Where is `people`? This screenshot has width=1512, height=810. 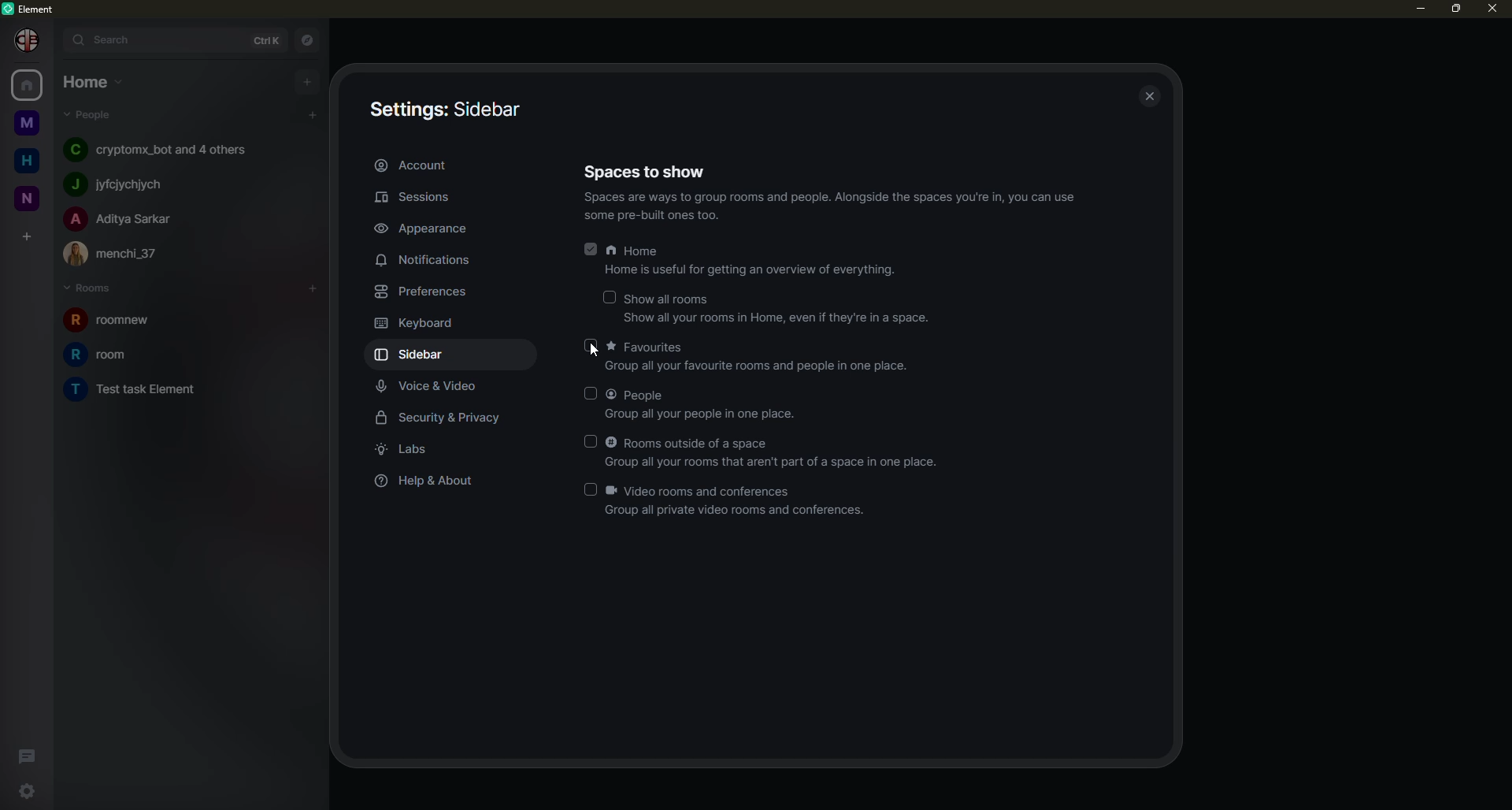
people is located at coordinates (157, 149).